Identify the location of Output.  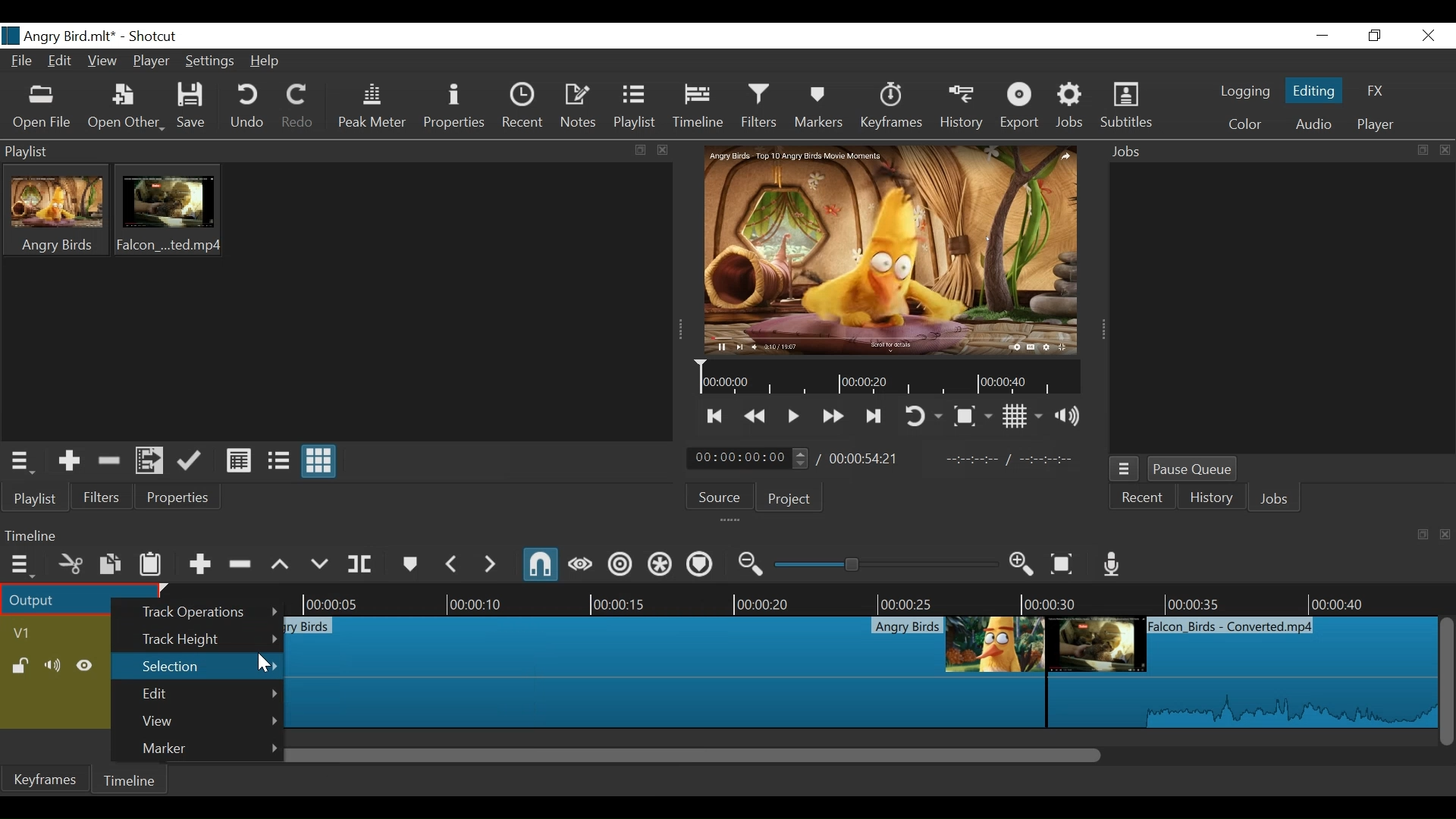
(62, 598).